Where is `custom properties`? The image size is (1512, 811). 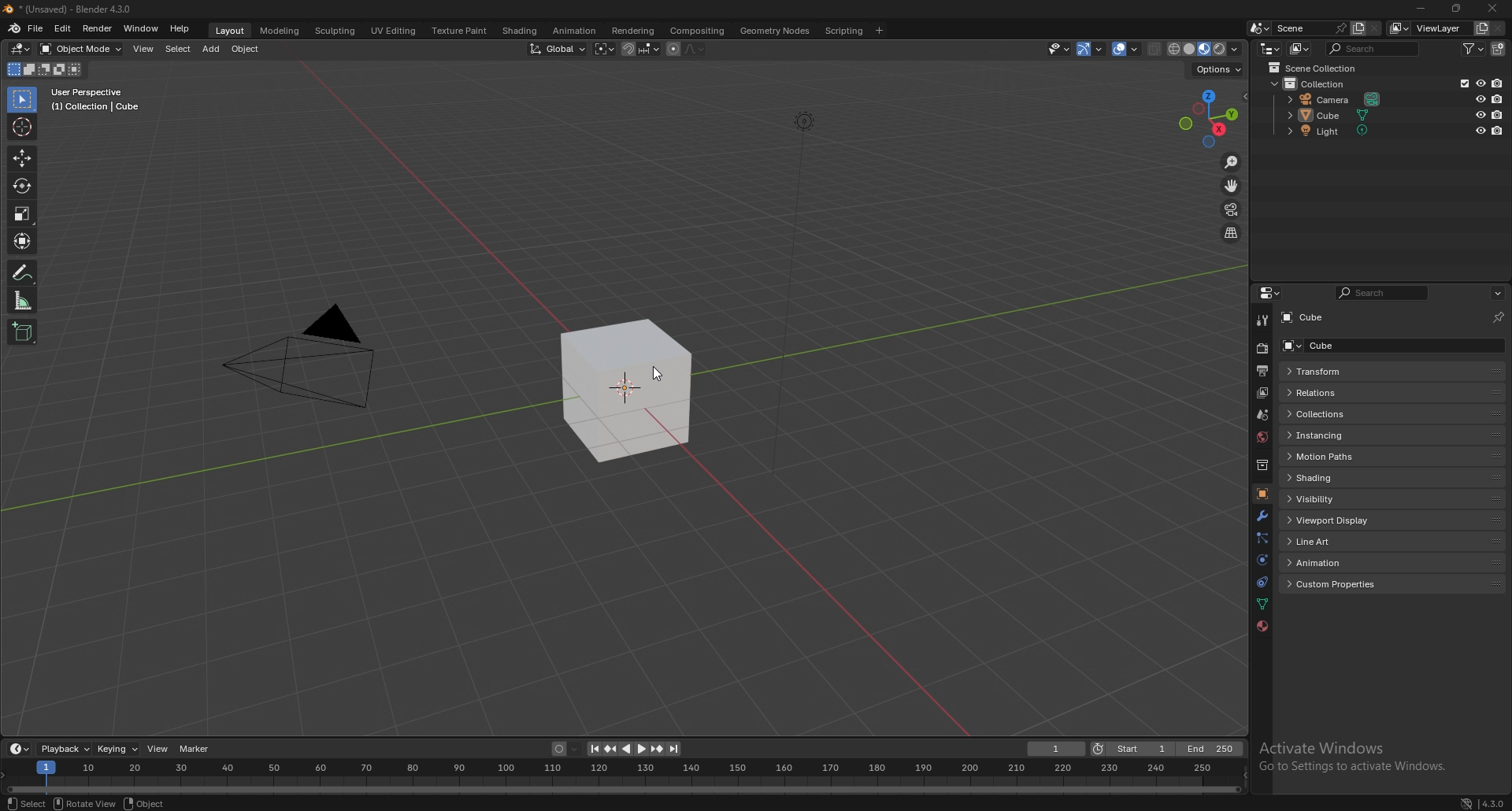
custom properties is located at coordinates (1338, 583).